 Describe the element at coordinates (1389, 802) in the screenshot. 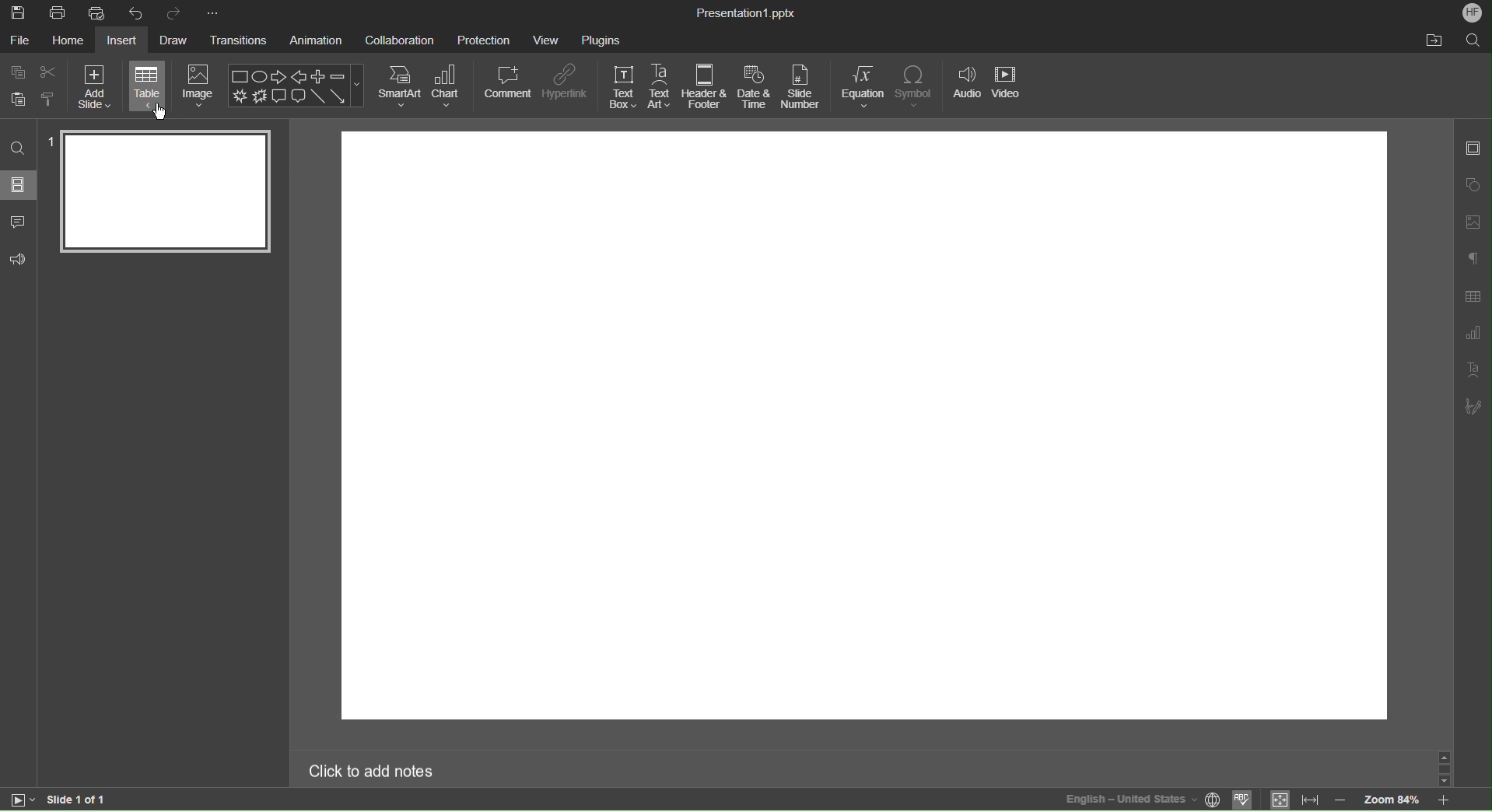

I see `Zoom` at that location.